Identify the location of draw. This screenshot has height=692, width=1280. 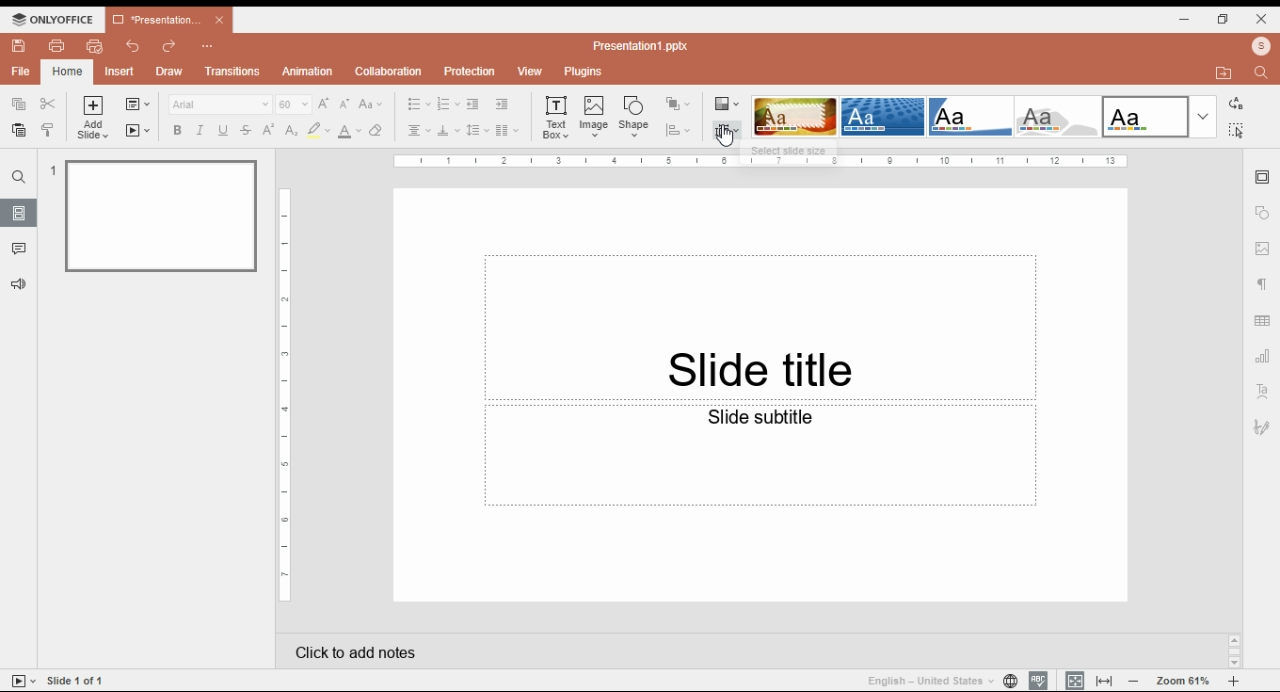
(171, 71).